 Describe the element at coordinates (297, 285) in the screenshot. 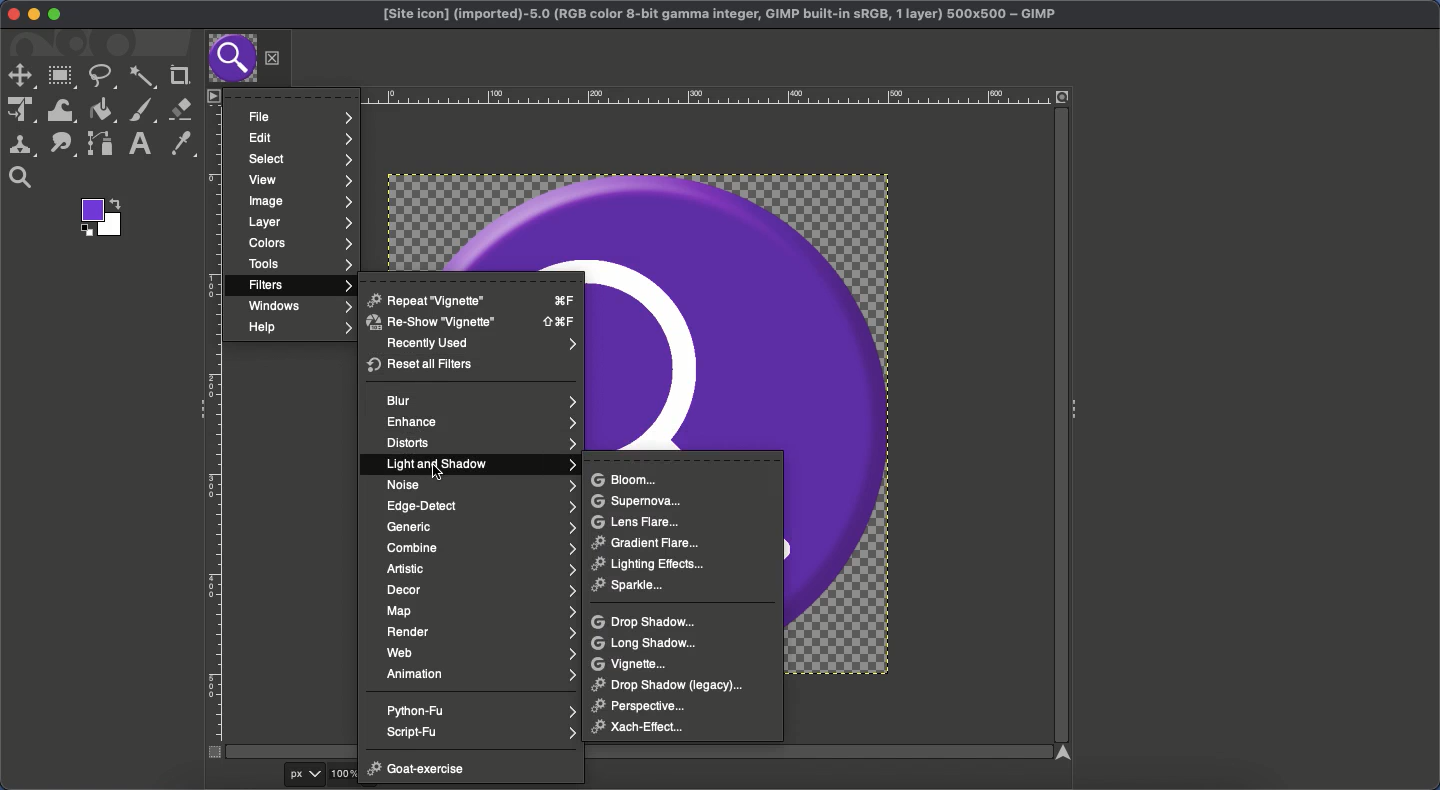

I see `Filters` at that location.